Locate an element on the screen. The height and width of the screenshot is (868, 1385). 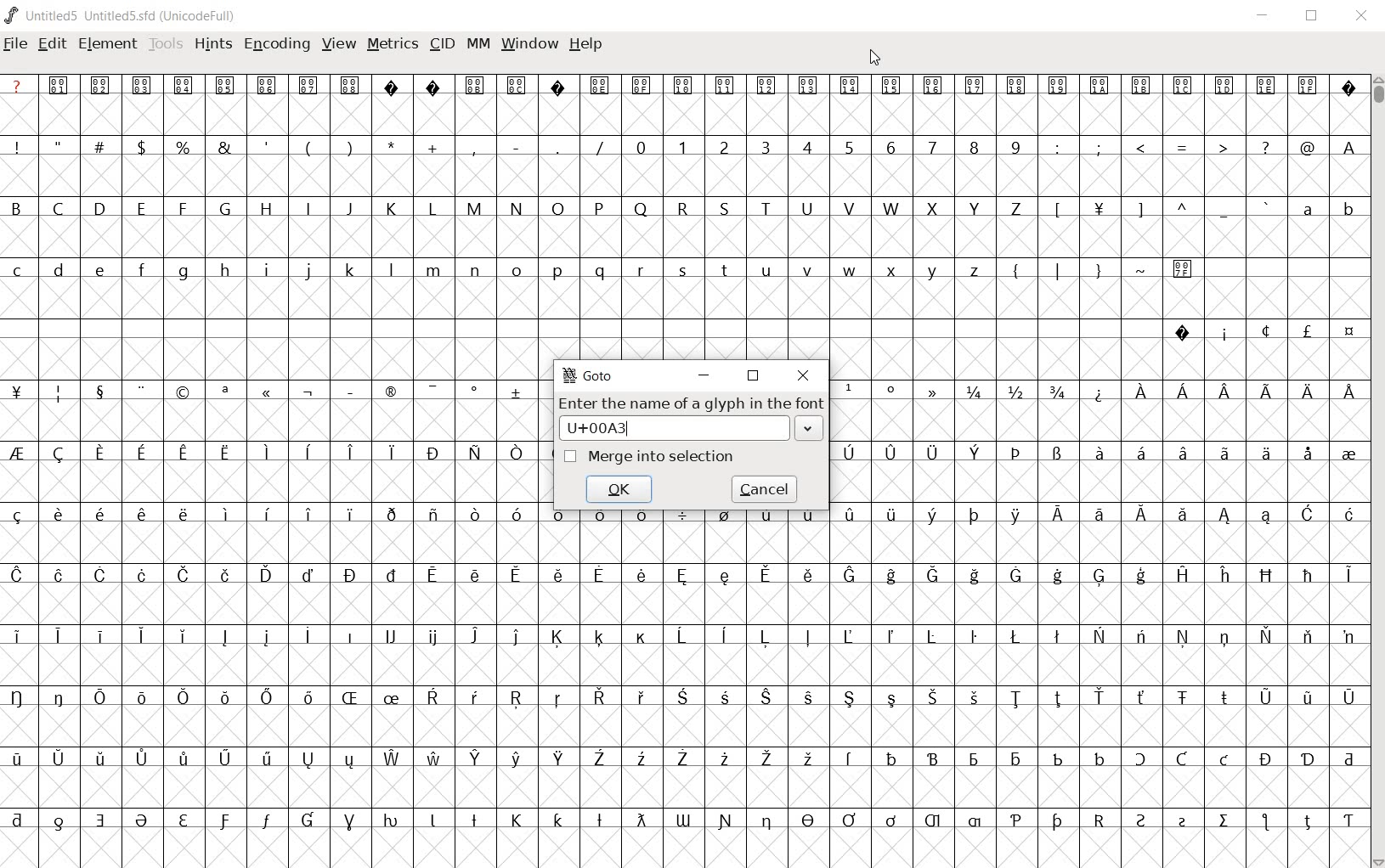
ok is located at coordinates (619, 488).